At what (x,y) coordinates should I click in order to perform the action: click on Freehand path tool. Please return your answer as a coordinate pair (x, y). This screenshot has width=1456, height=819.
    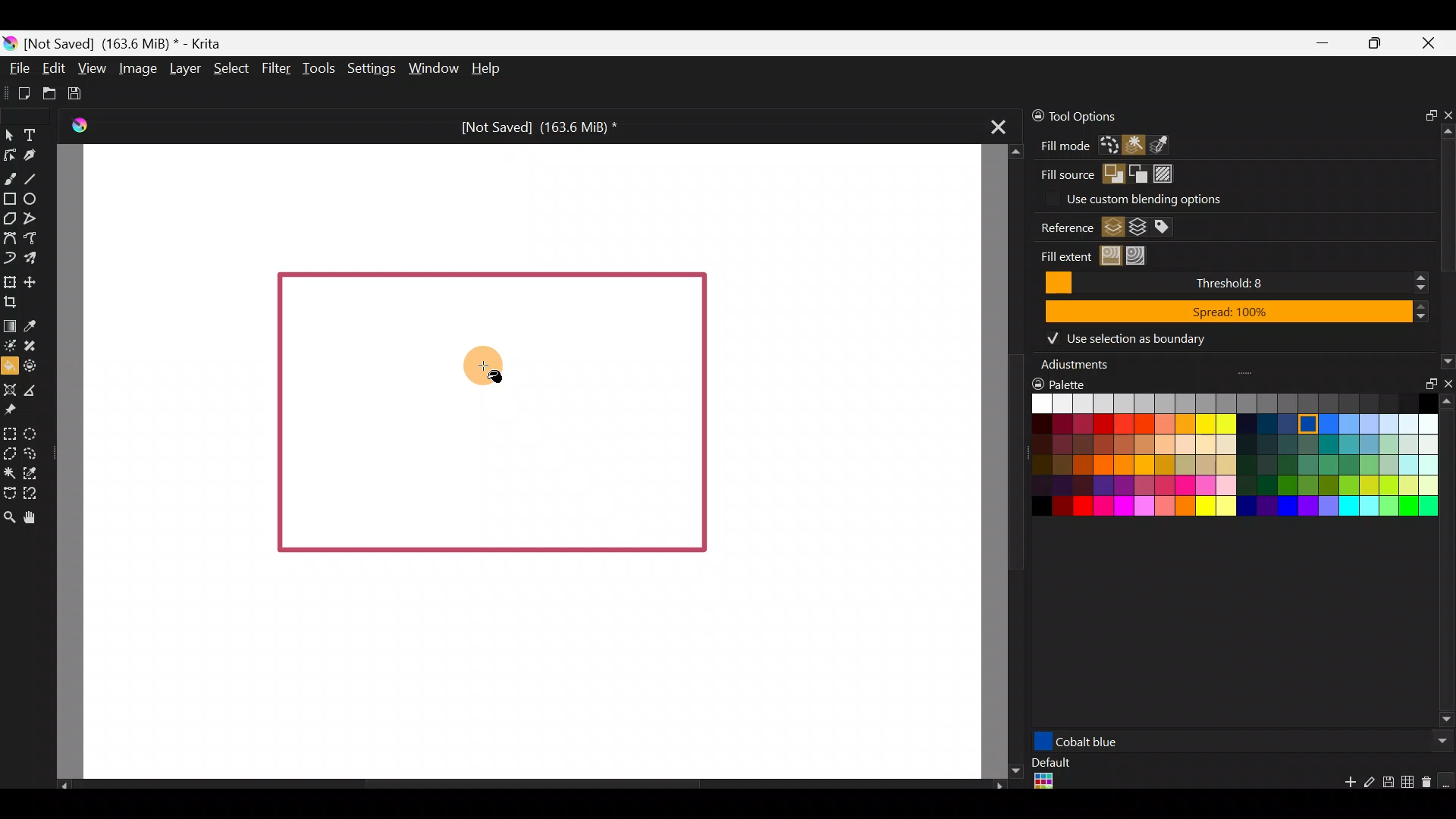
    Looking at the image, I should click on (34, 237).